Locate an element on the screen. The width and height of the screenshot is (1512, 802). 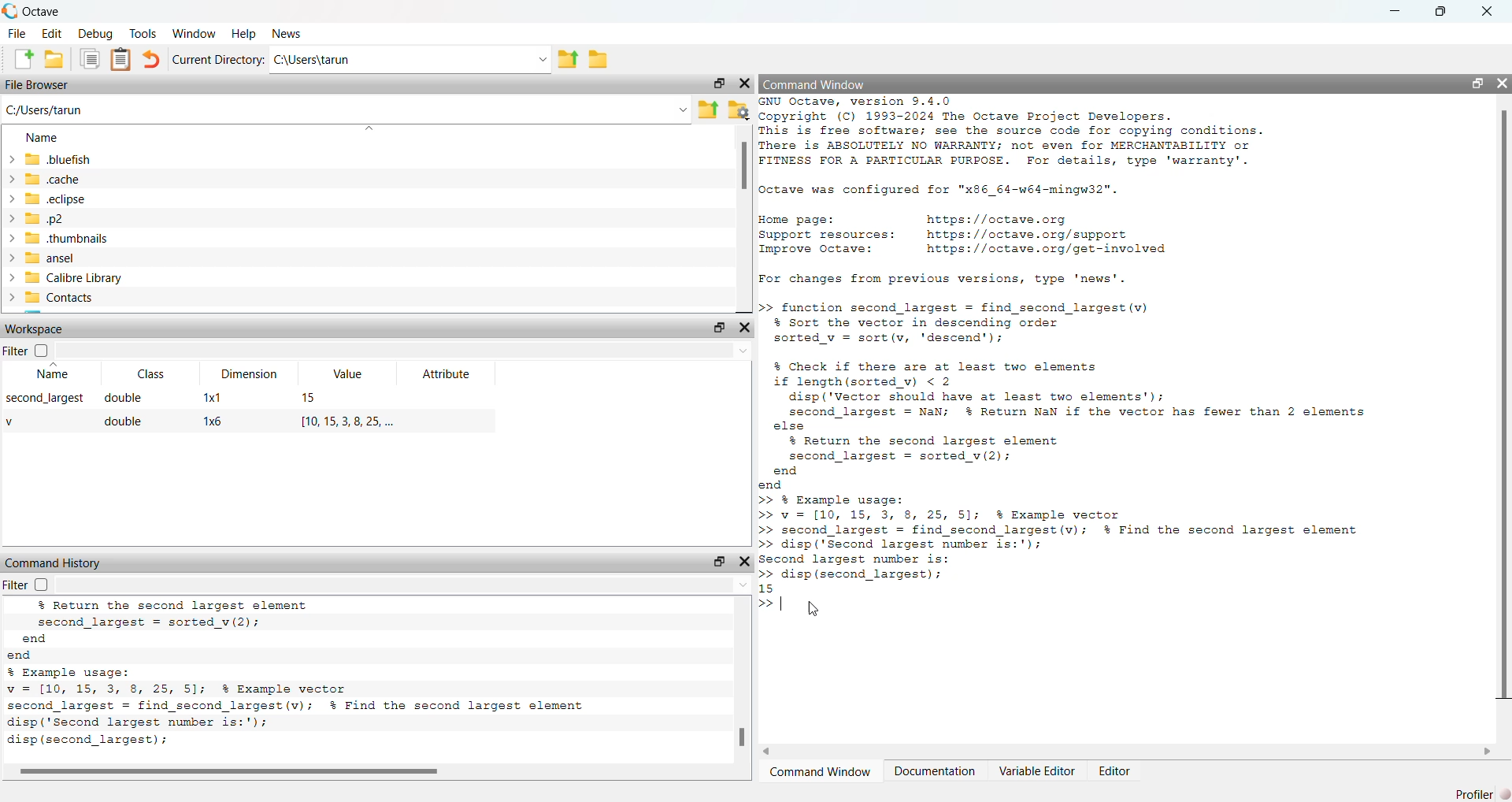
1x6 is located at coordinates (217, 421).